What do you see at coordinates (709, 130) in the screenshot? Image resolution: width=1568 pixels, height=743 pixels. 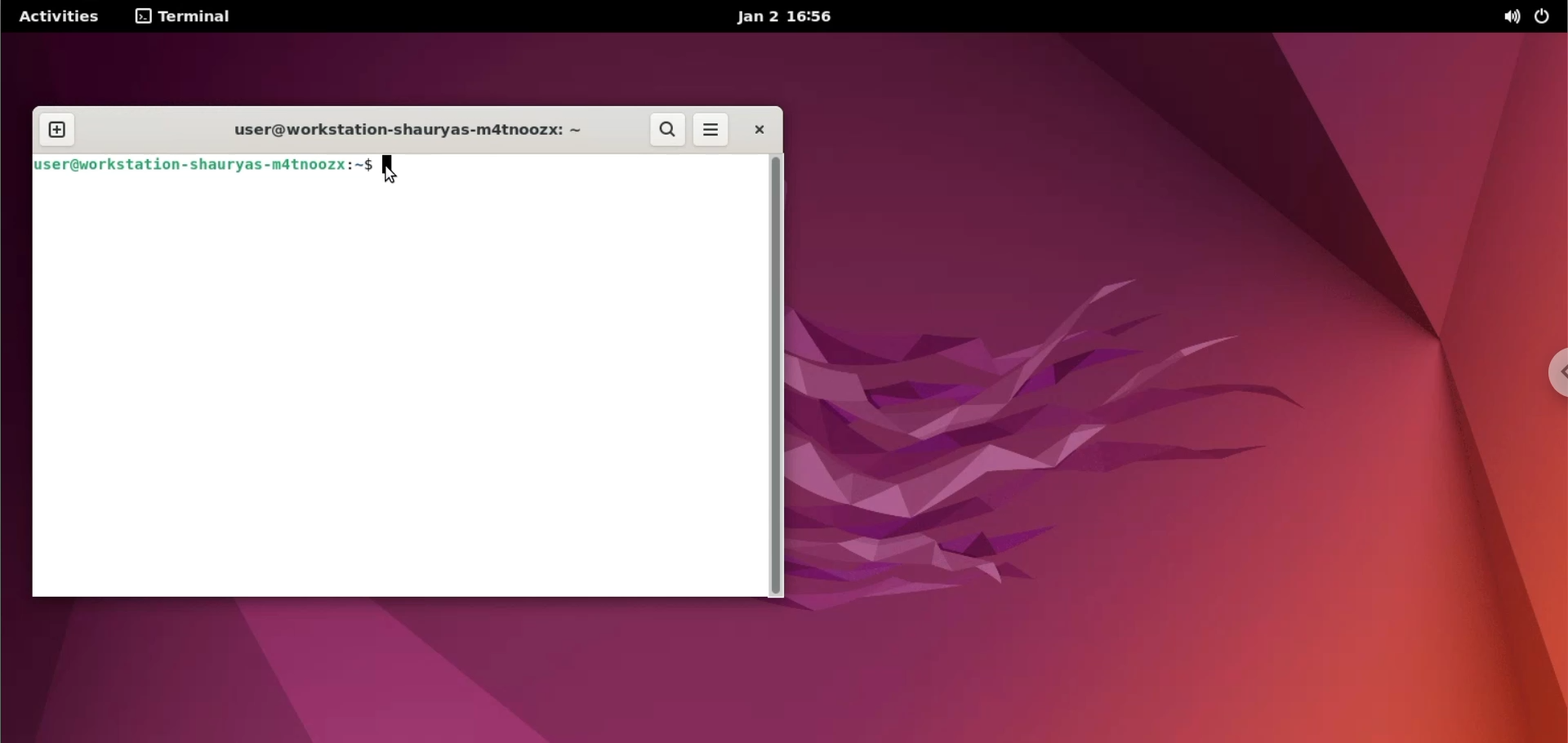 I see `more options` at bounding box center [709, 130].